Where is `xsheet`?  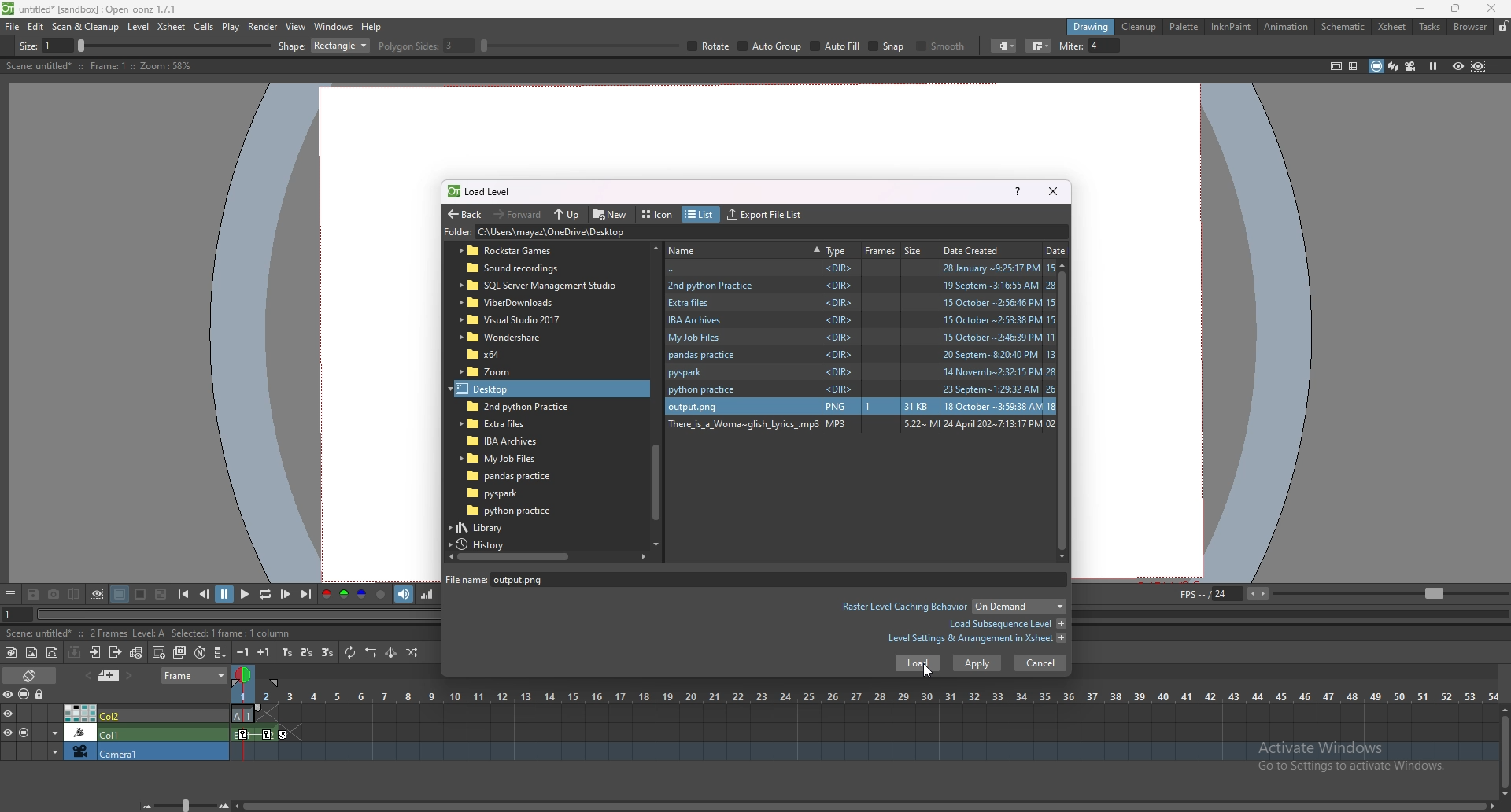
xsheet is located at coordinates (1392, 27).